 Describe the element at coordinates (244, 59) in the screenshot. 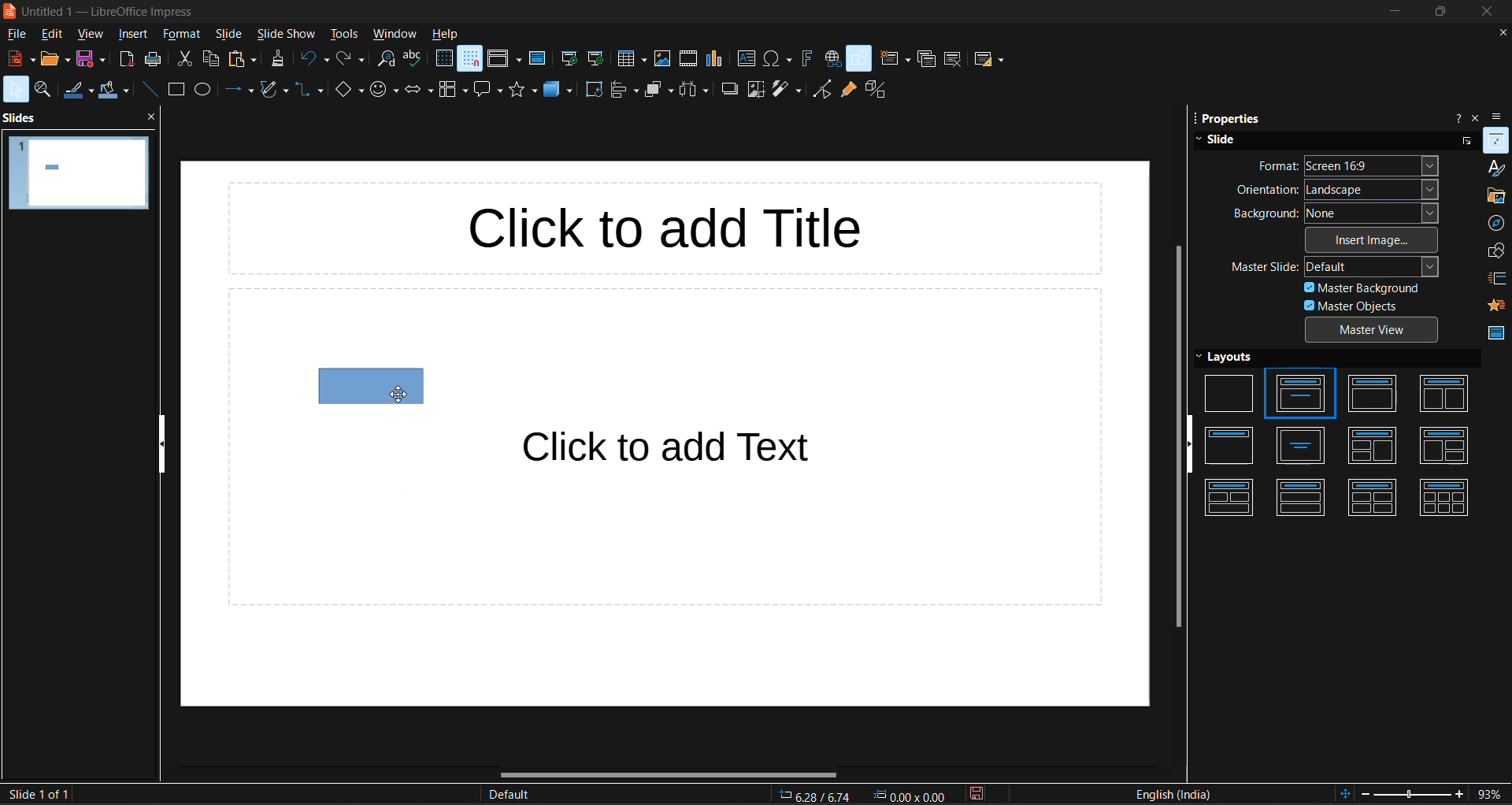

I see `paste` at that location.